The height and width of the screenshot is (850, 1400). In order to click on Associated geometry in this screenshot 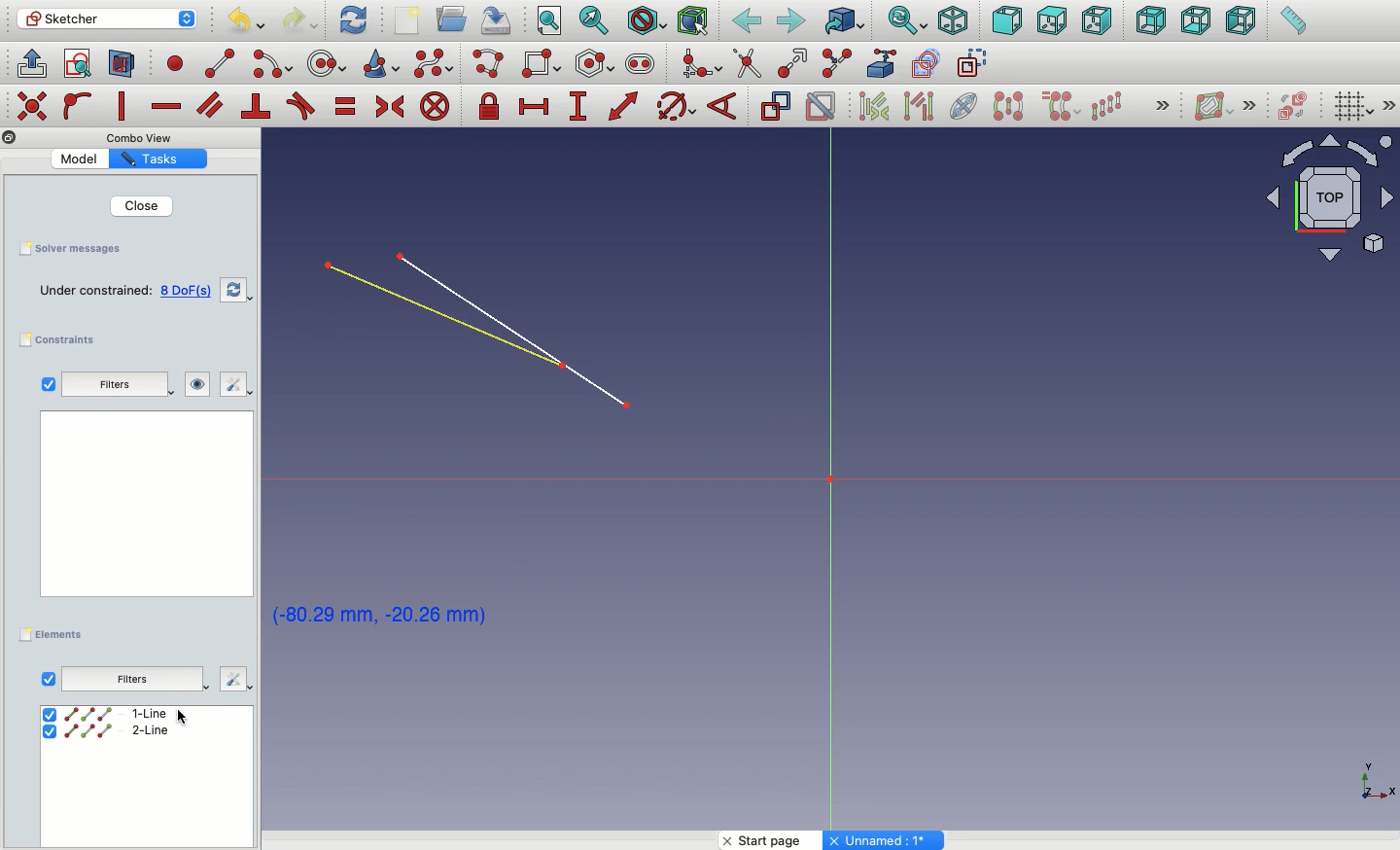, I will do `click(919, 109)`.